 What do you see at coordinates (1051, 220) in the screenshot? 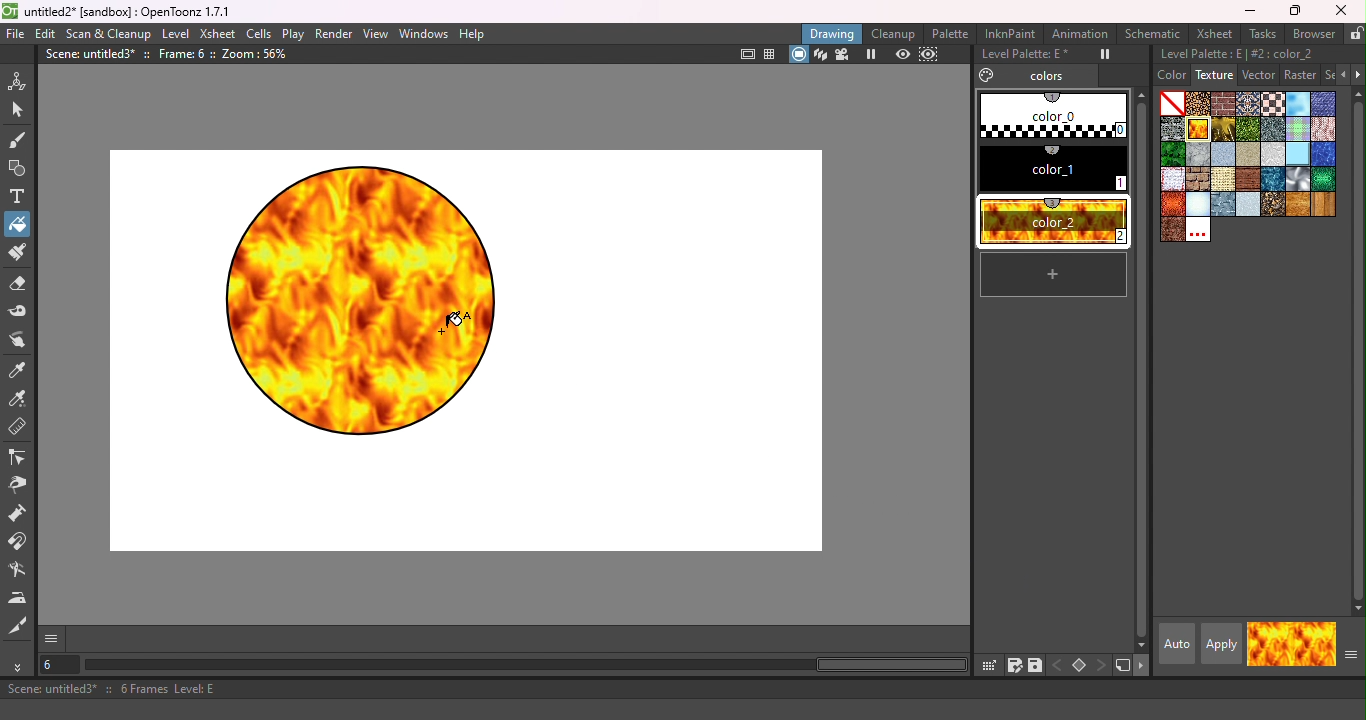
I see `#2 color_2 (3)` at bounding box center [1051, 220].